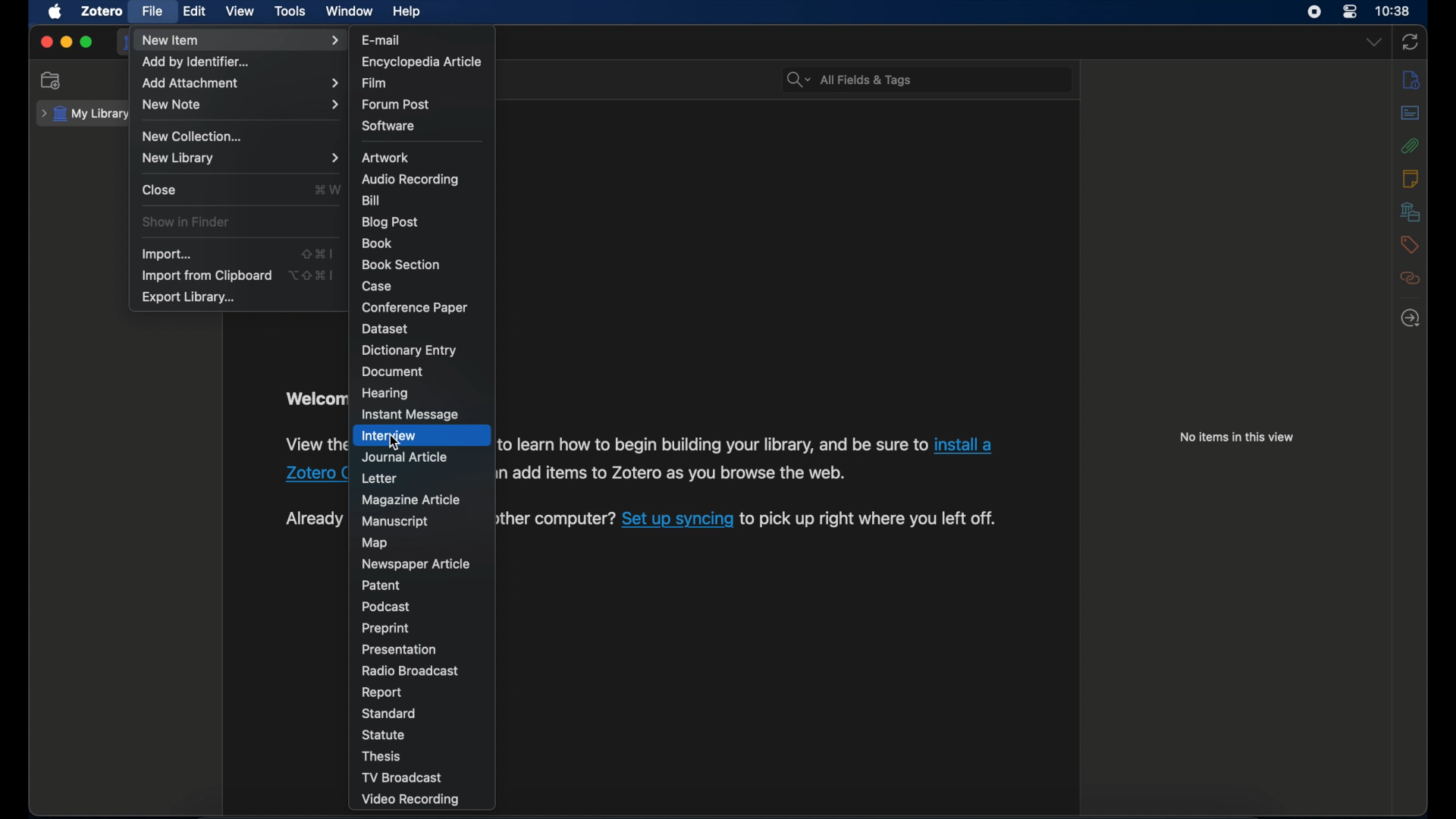  I want to click on shortcut, so click(318, 253).